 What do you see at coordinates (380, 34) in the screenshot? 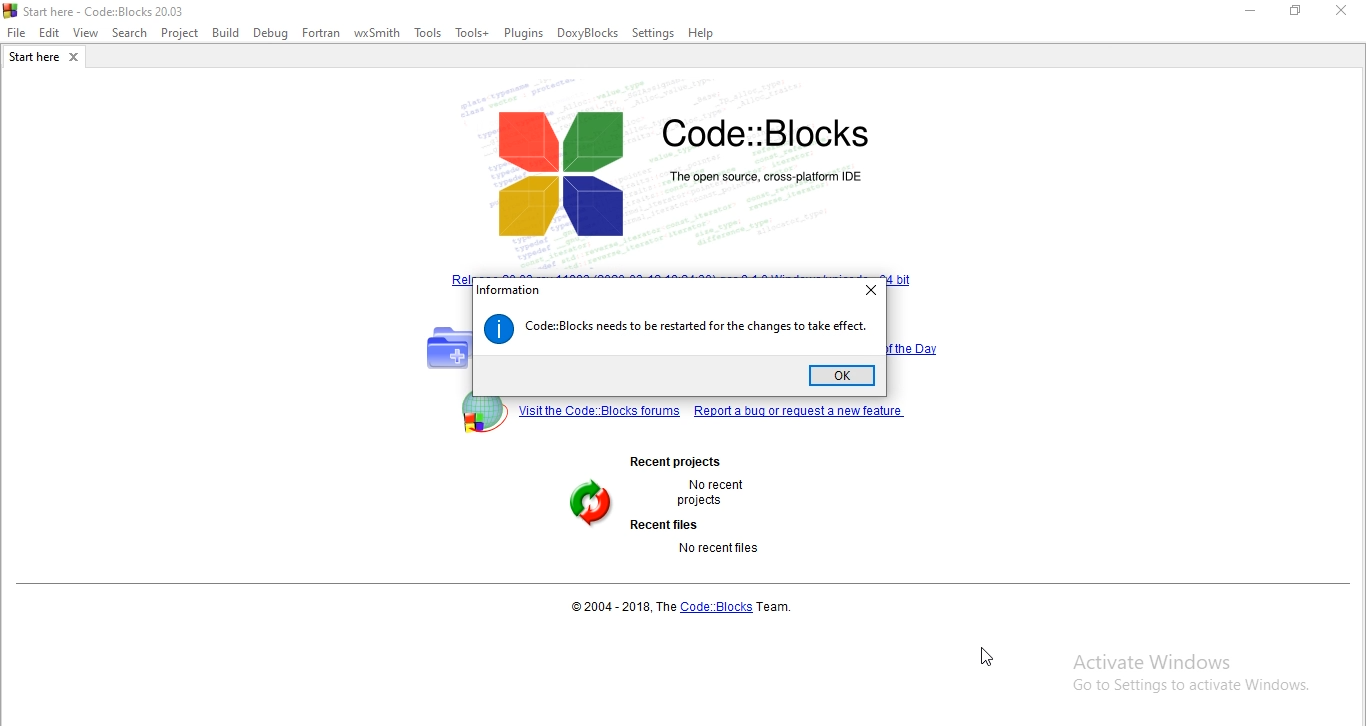
I see `wxSmith` at bounding box center [380, 34].